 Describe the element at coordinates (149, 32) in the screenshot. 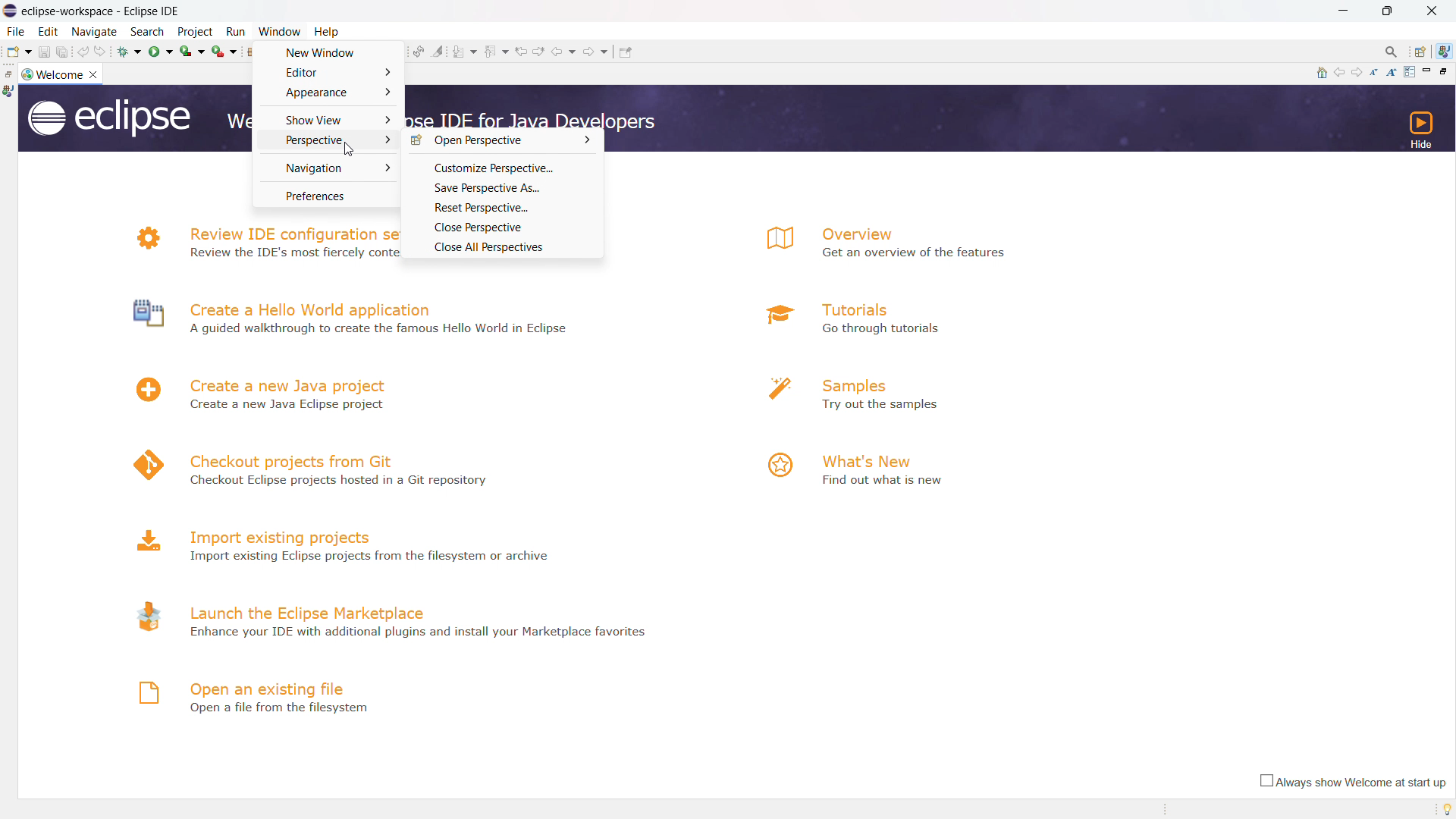

I see `search` at that location.